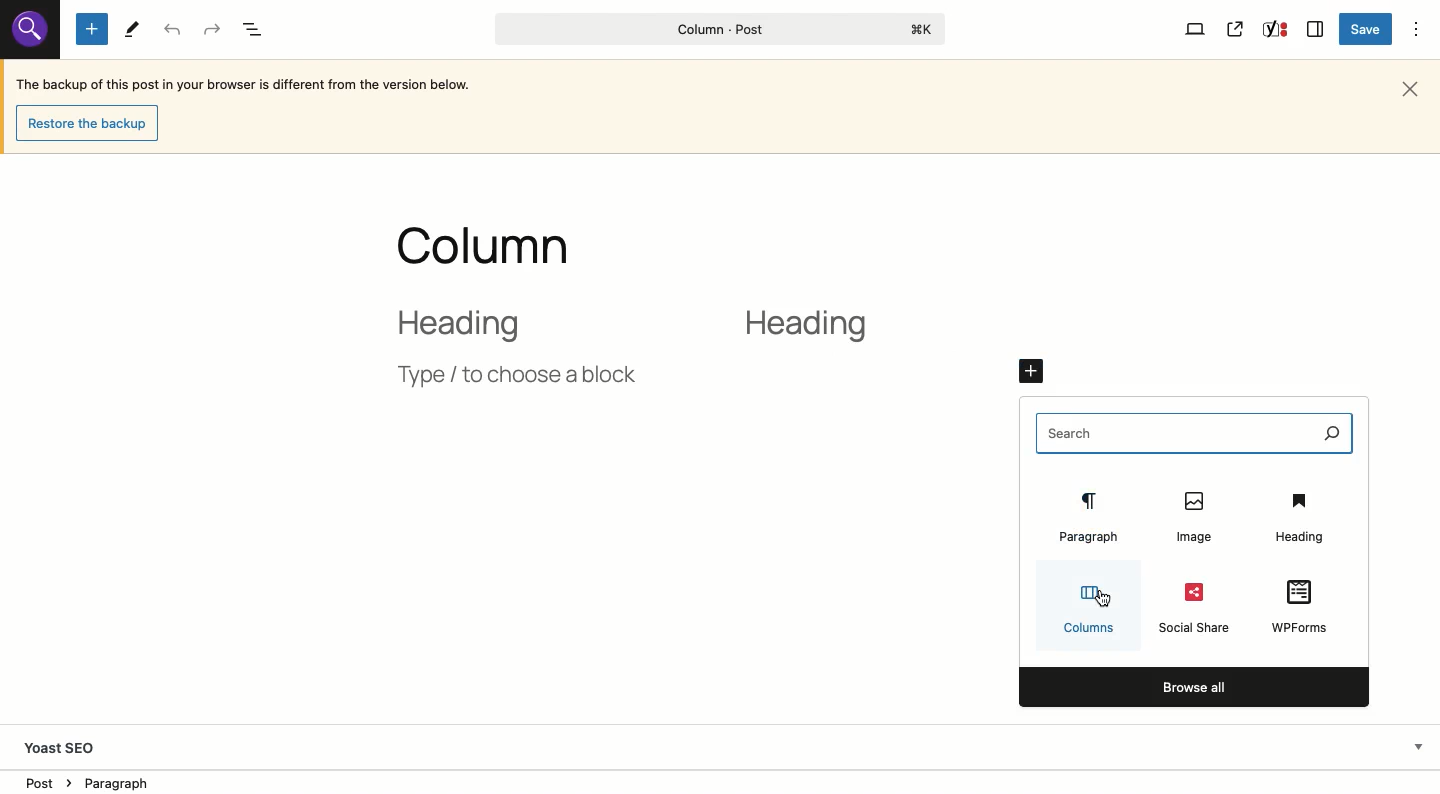 The image size is (1440, 794). What do you see at coordinates (638, 323) in the screenshot?
I see `2 column layout heading` at bounding box center [638, 323].